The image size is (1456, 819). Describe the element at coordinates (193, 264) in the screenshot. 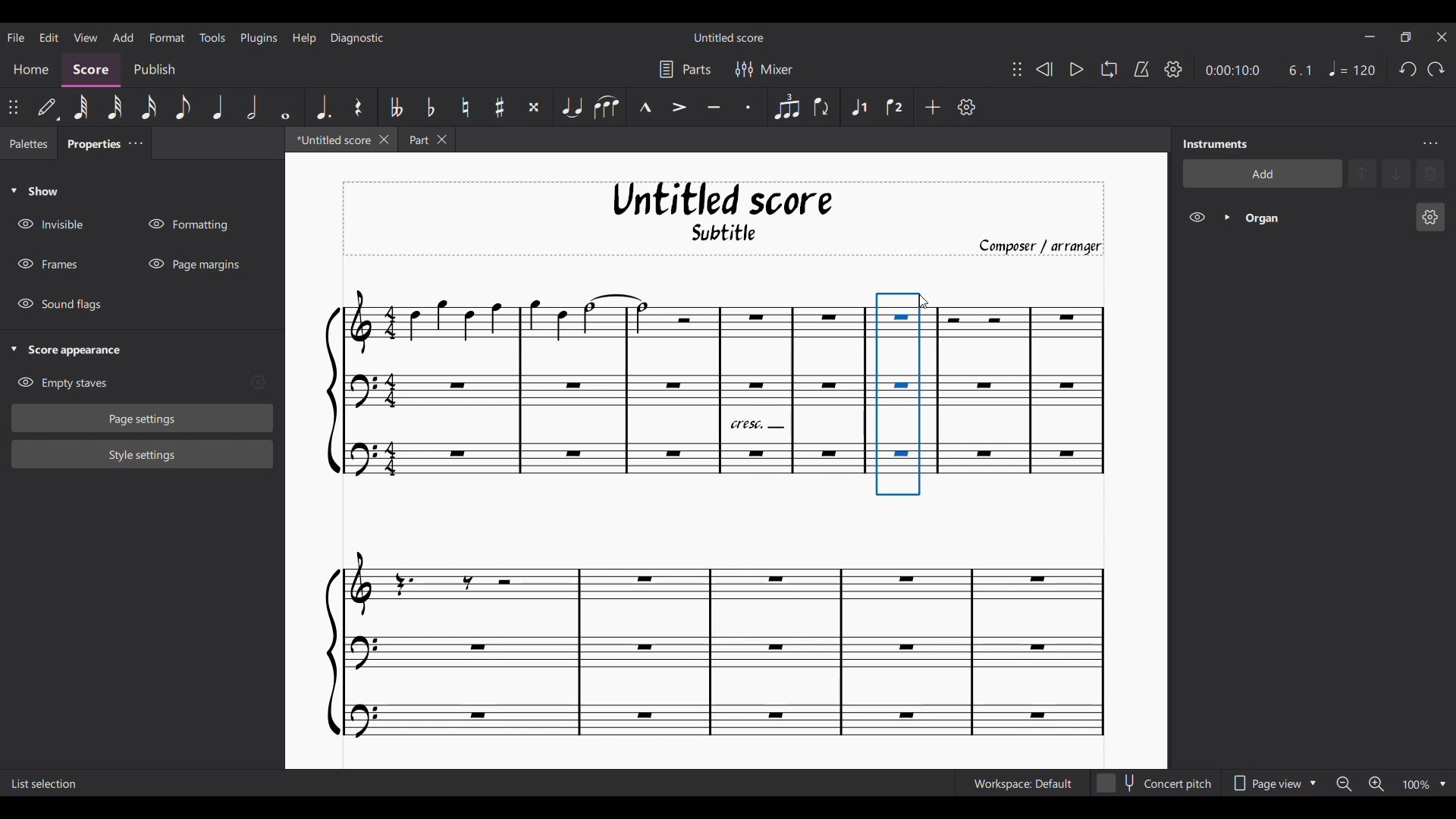

I see `Hide Page margins` at that location.